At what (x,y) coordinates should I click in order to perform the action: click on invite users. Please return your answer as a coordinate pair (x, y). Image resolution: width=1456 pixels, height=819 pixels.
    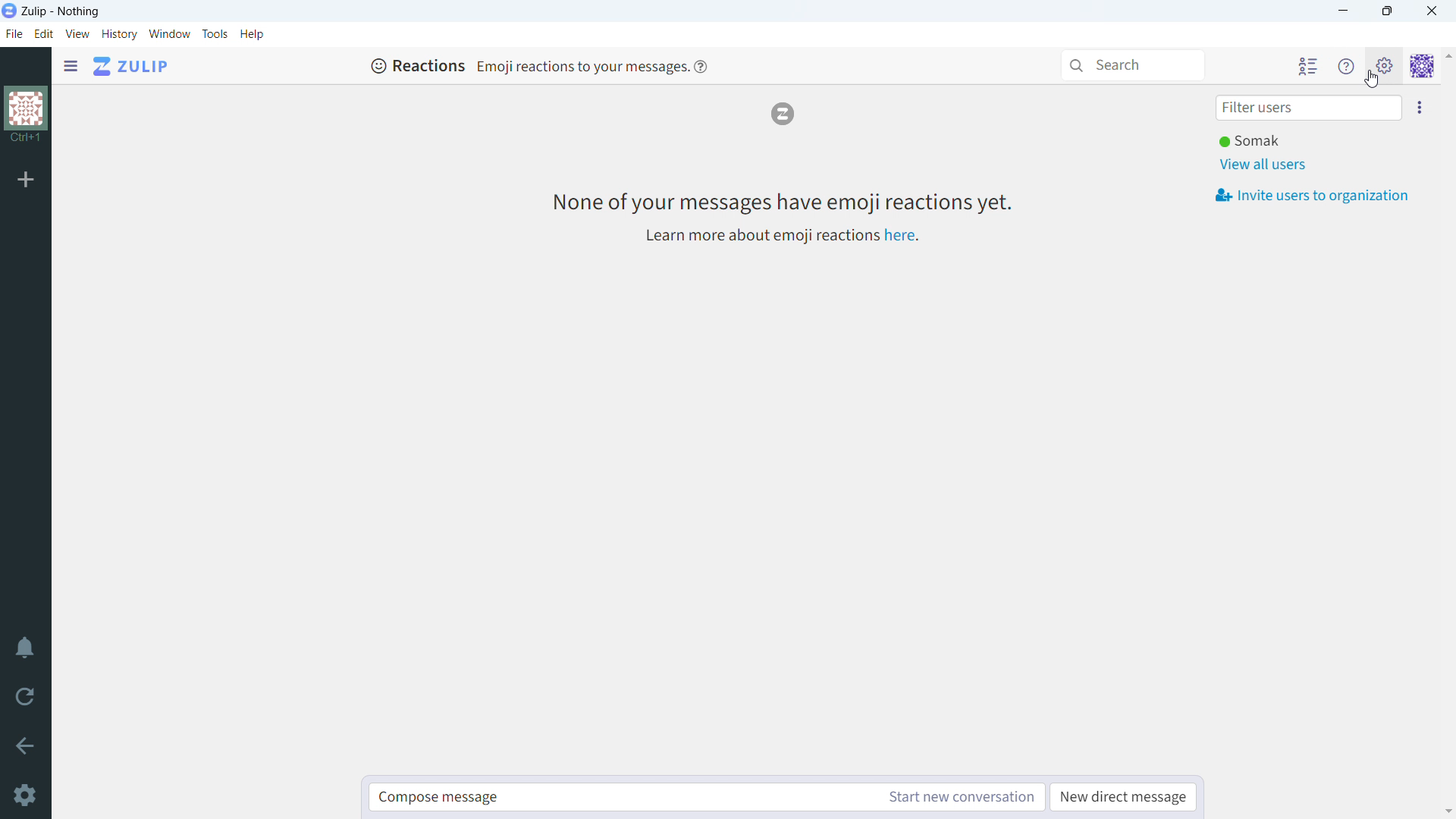
    Looking at the image, I should click on (1313, 196).